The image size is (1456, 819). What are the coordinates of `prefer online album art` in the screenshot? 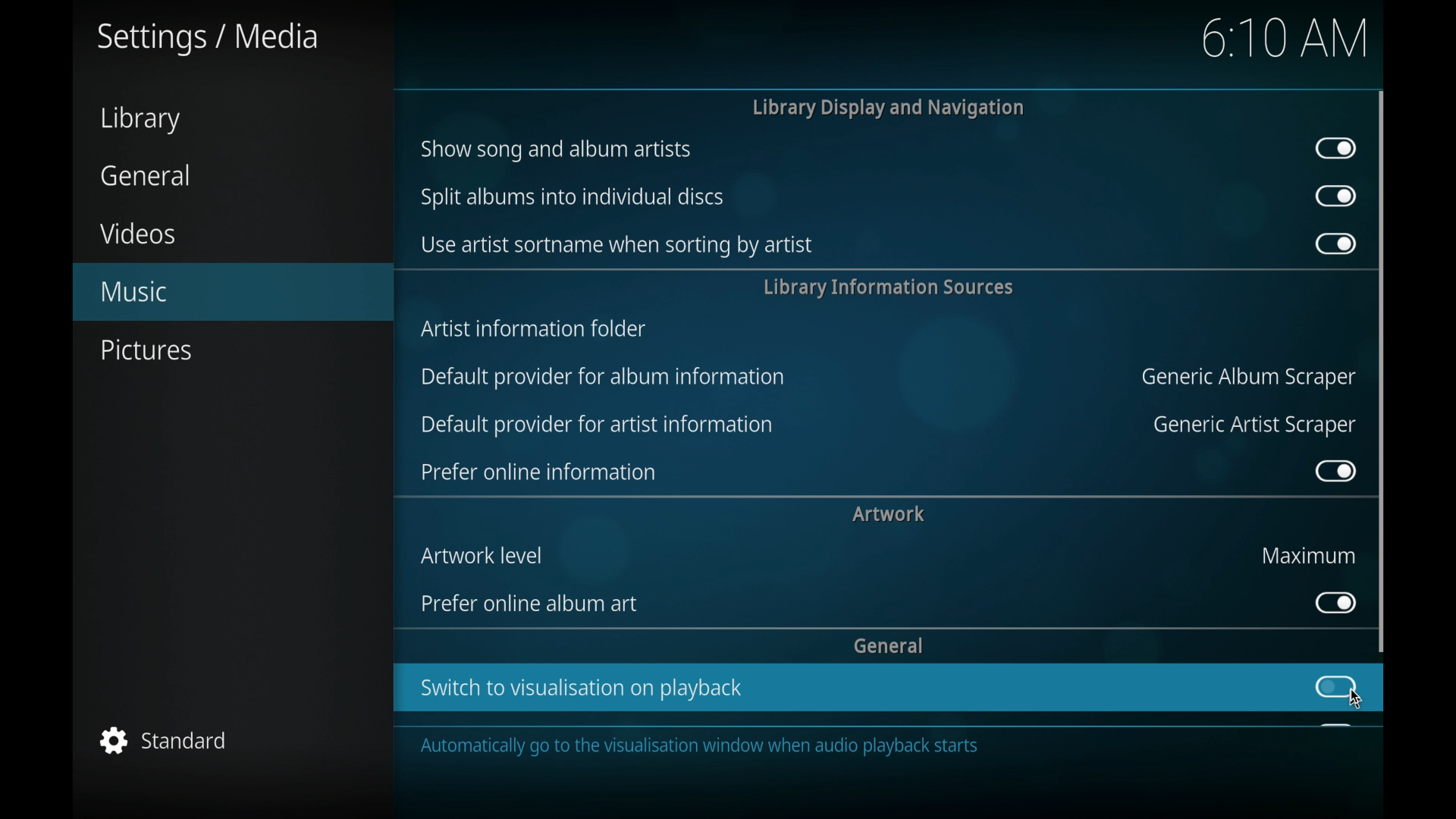 It's located at (533, 604).